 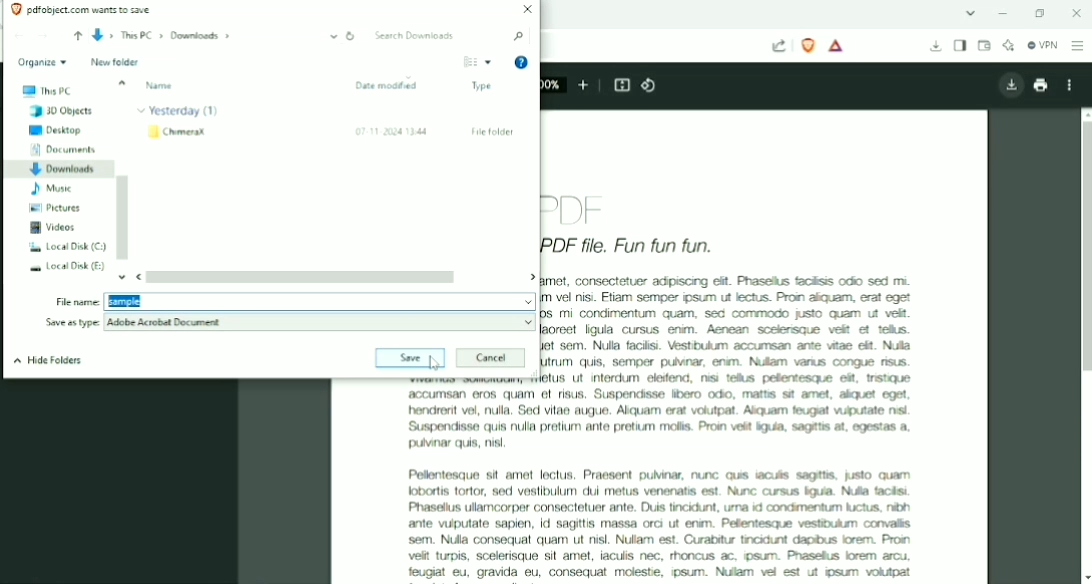 I want to click on Yesterday, so click(x=180, y=111).